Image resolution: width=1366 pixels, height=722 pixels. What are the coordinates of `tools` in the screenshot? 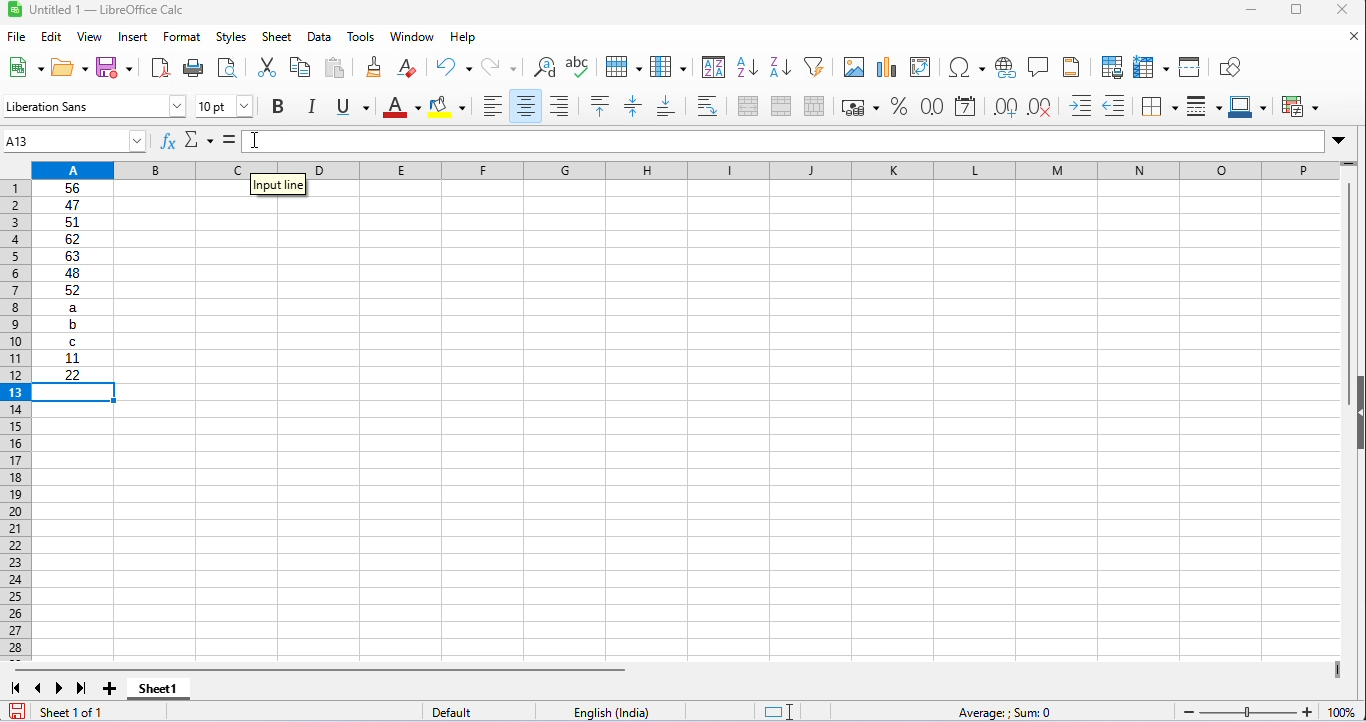 It's located at (363, 37).